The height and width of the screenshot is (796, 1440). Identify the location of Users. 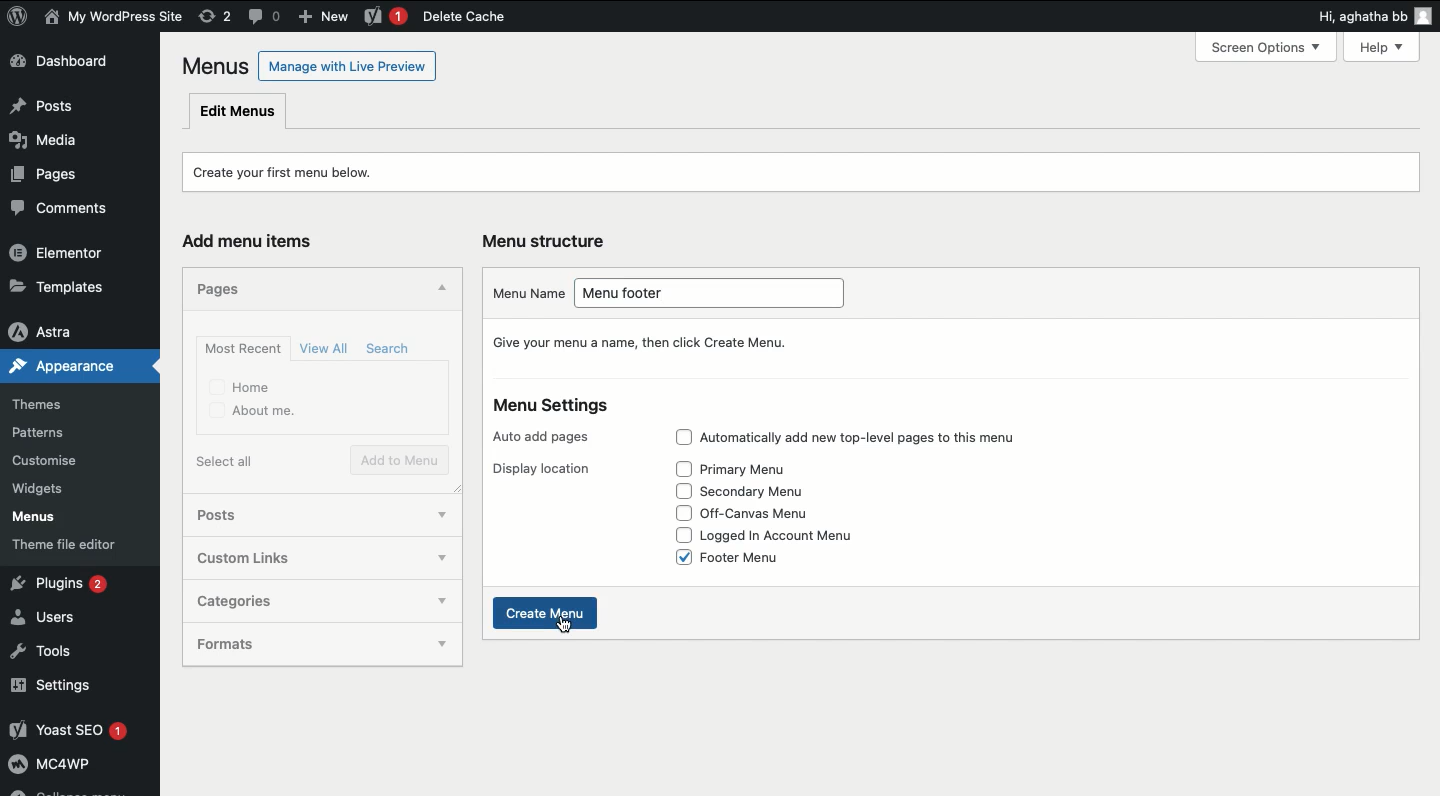
(57, 619).